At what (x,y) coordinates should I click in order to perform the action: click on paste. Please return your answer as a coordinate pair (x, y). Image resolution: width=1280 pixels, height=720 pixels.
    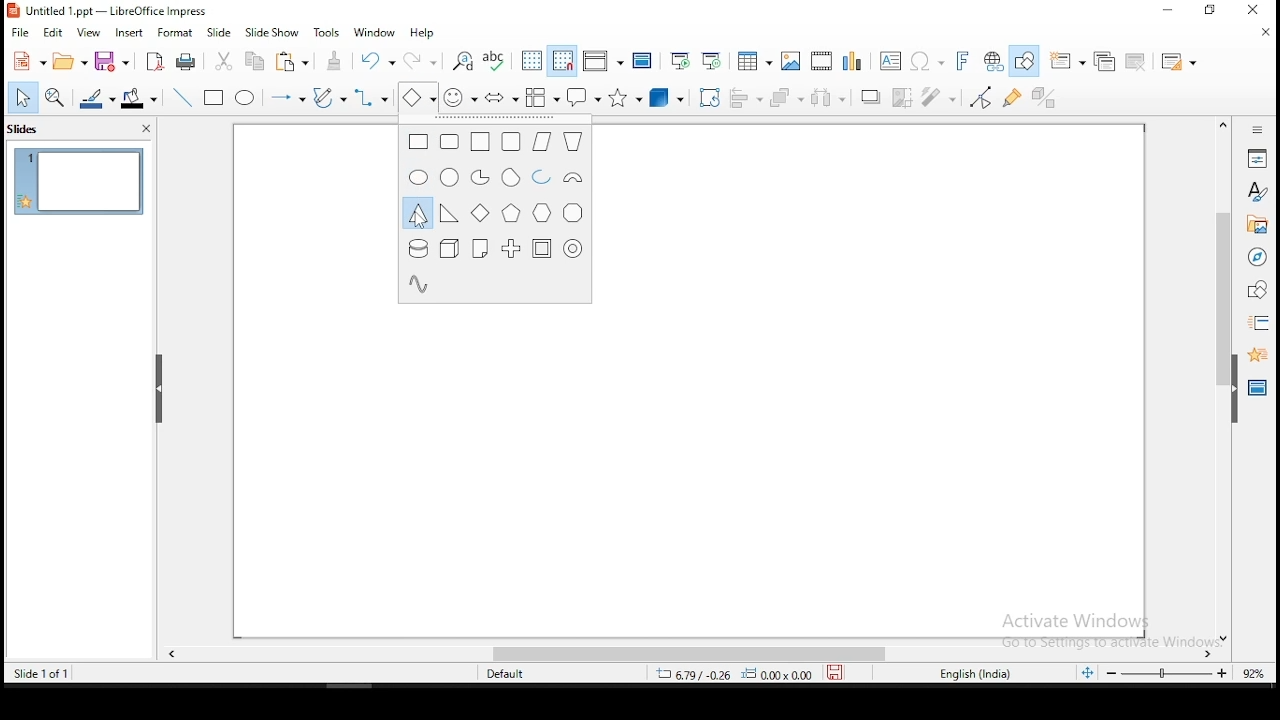
    Looking at the image, I should click on (336, 61).